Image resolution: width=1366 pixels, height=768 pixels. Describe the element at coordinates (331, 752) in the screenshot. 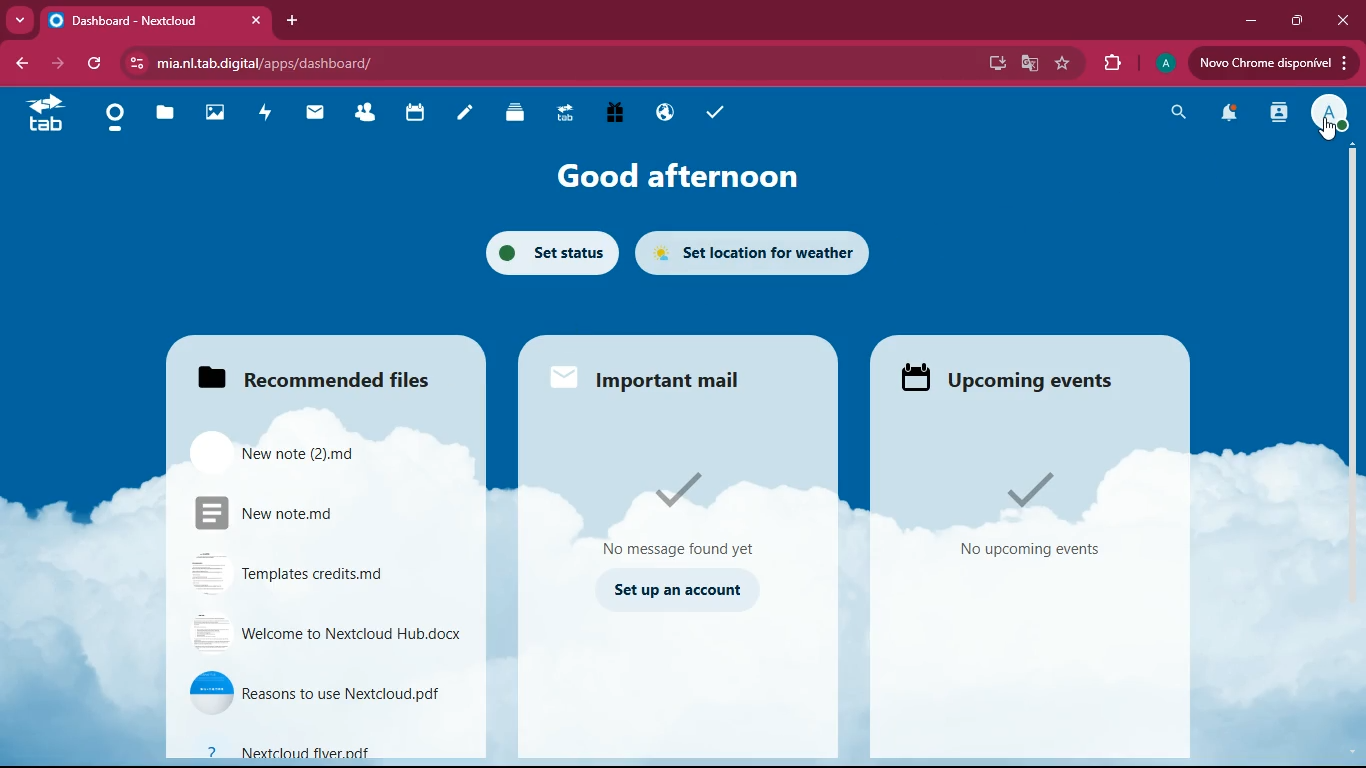

I see `file` at that location.